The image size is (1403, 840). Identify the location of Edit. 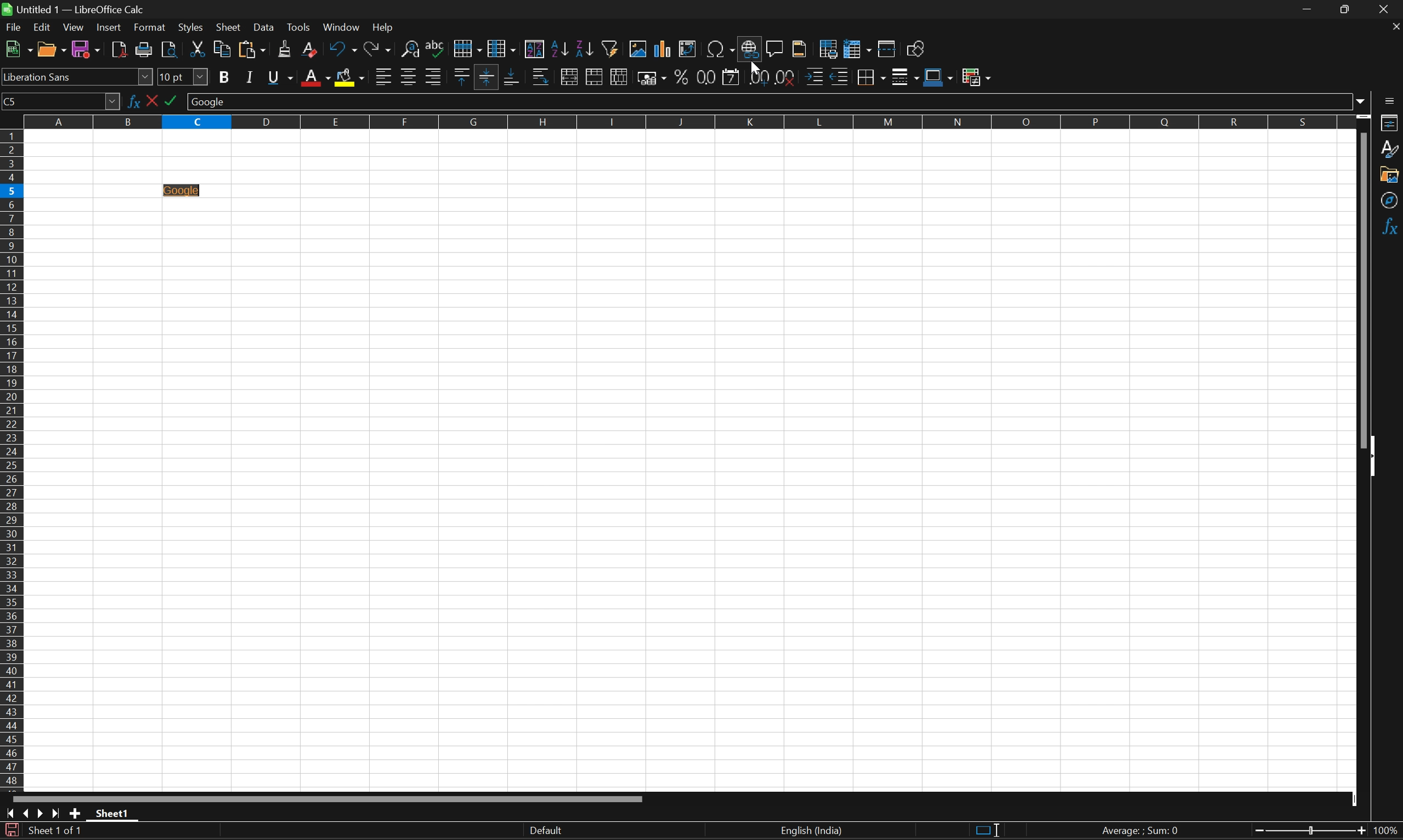
(45, 28).